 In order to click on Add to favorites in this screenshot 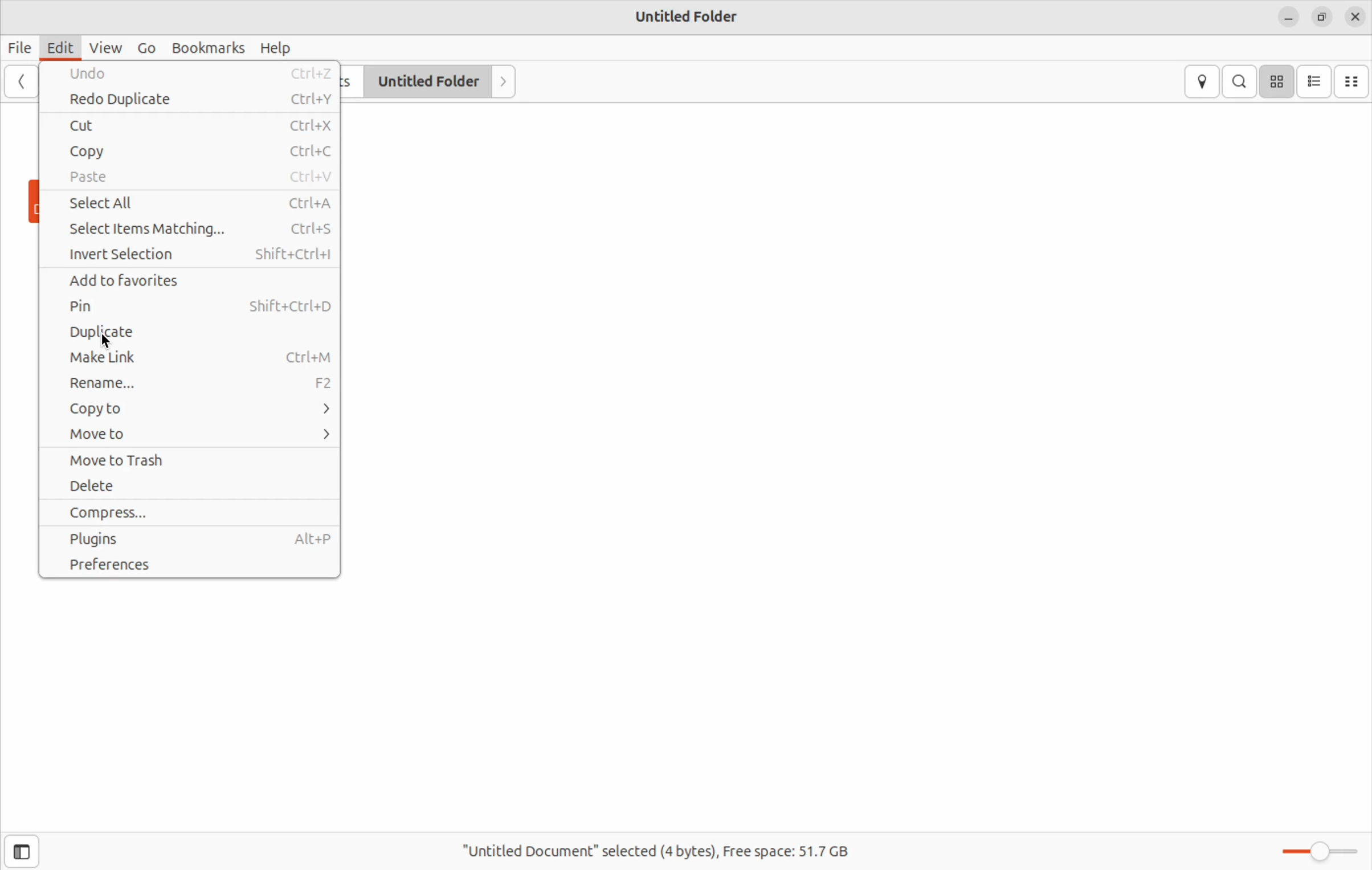, I will do `click(191, 281)`.